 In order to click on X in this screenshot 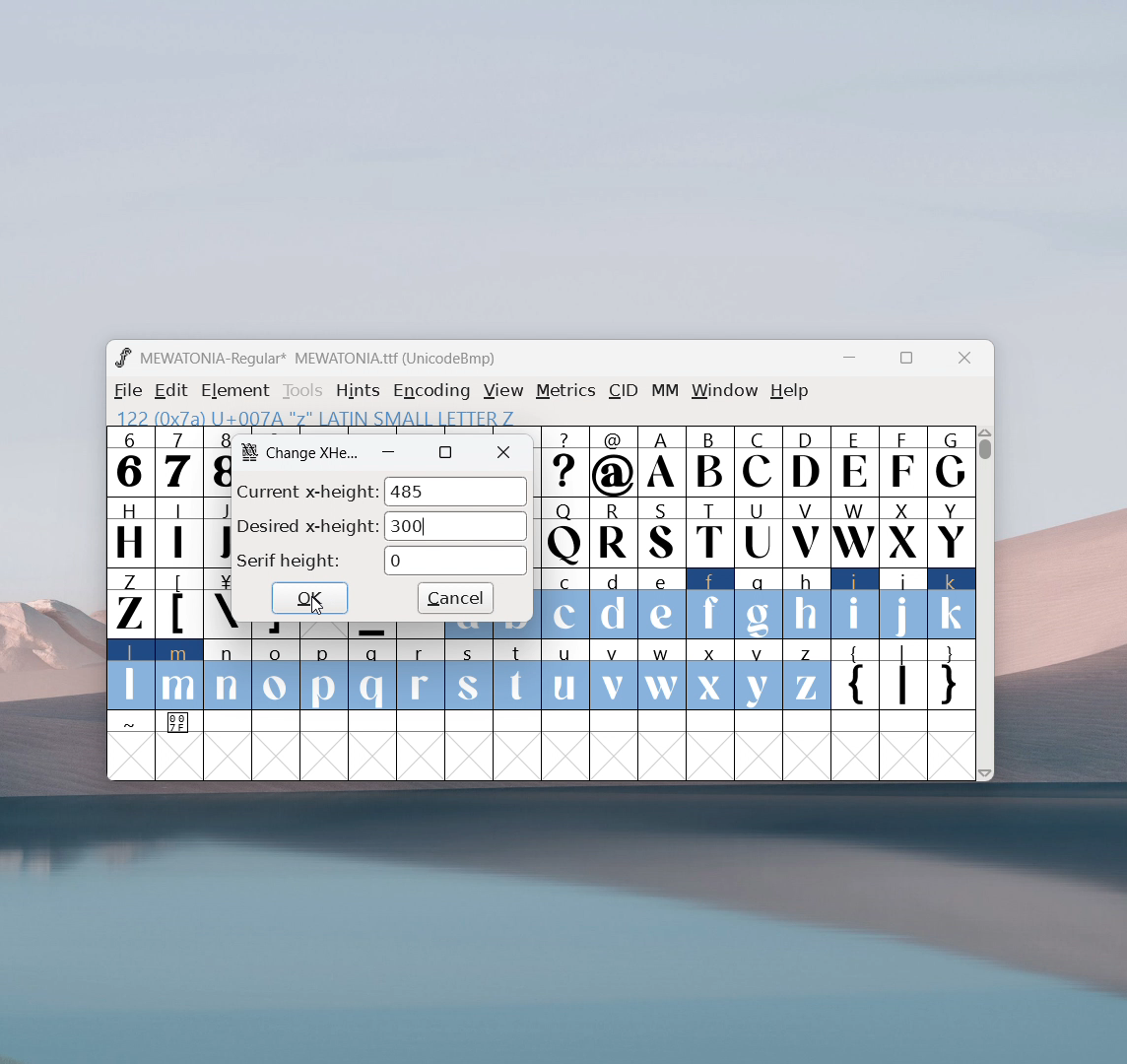, I will do `click(903, 531)`.